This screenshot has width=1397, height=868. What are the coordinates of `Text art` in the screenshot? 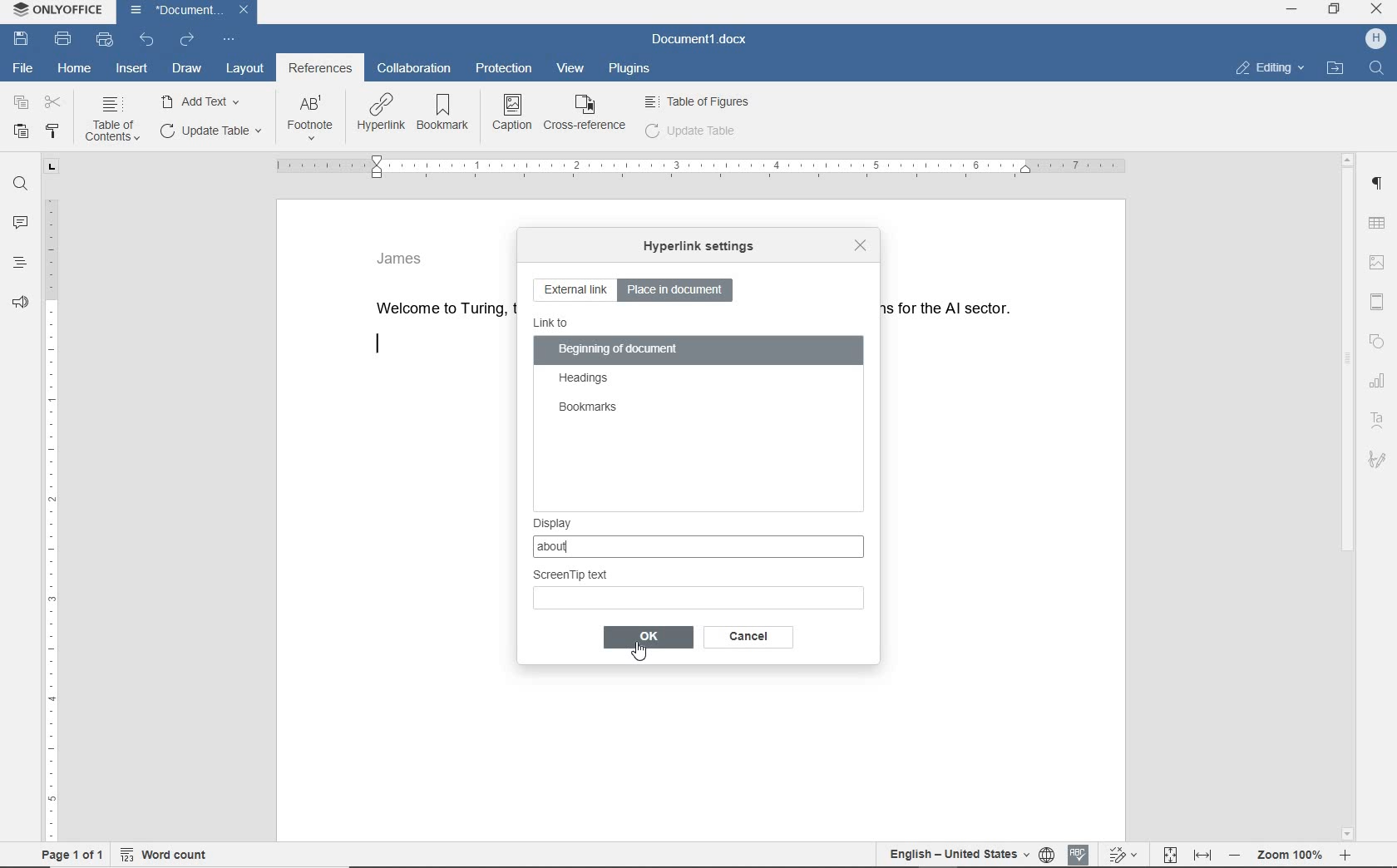 It's located at (1381, 419).